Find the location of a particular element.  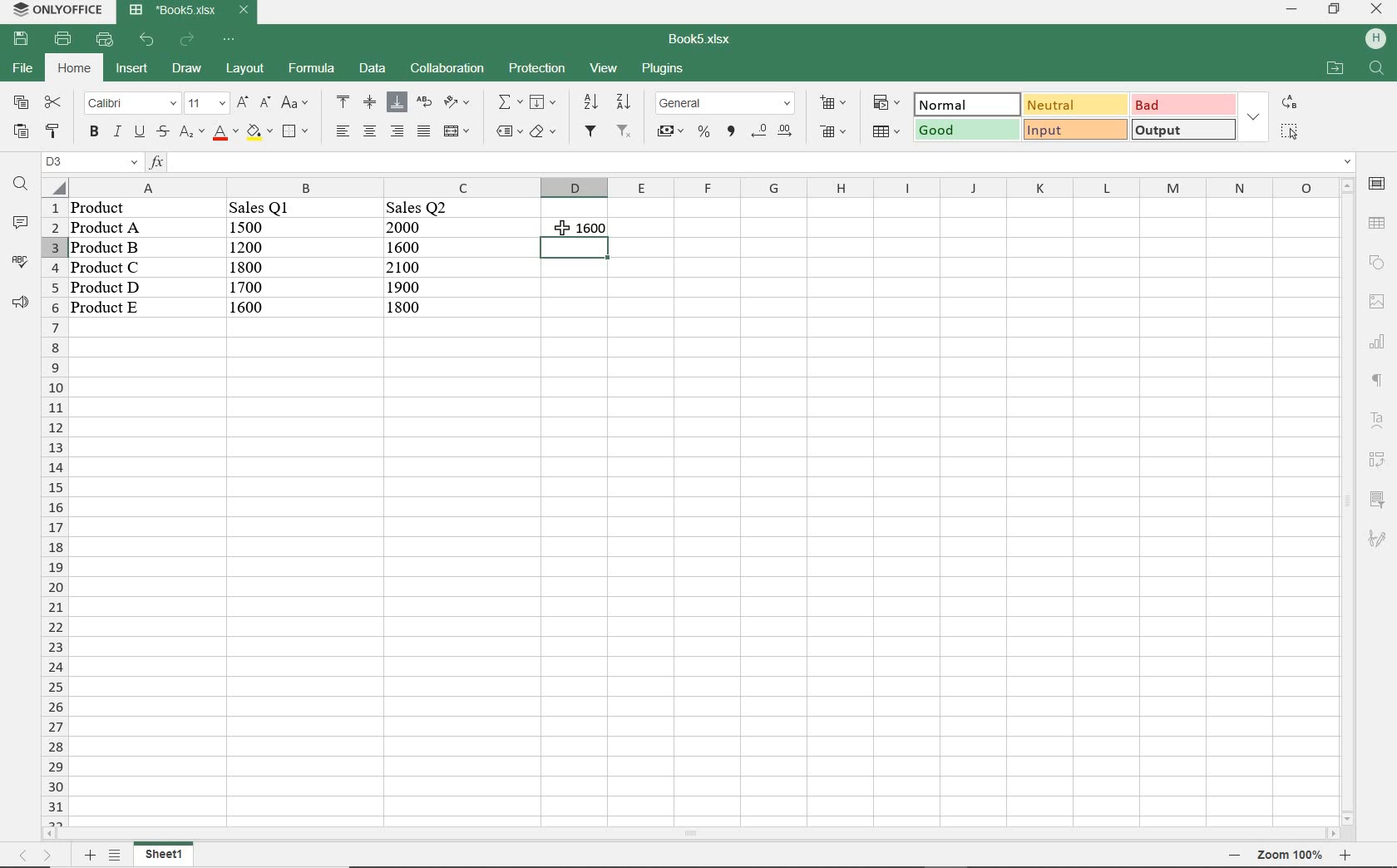

layout is located at coordinates (247, 69).